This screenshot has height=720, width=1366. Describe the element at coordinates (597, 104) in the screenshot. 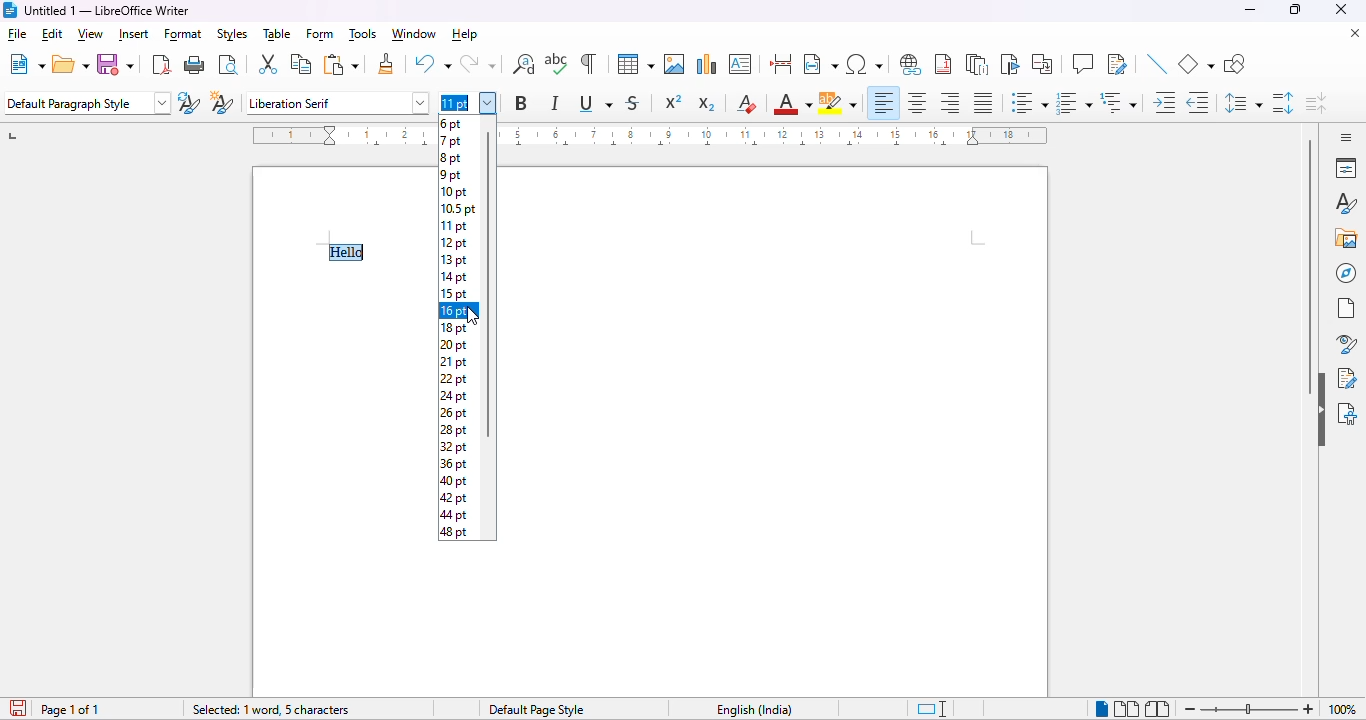

I see `underline` at that location.